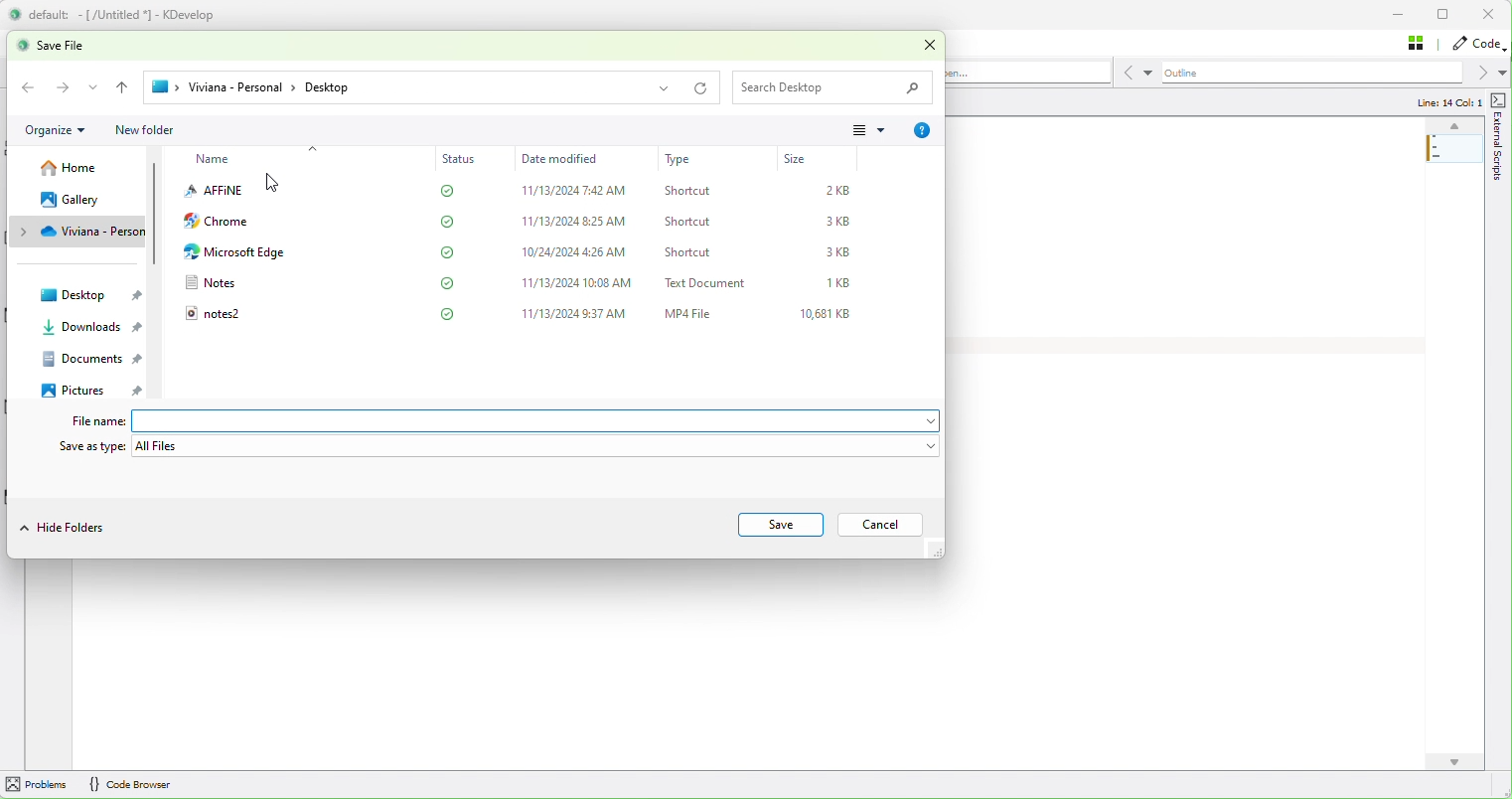 The width and height of the screenshot is (1512, 799). I want to click on saved to cloud, so click(448, 313).